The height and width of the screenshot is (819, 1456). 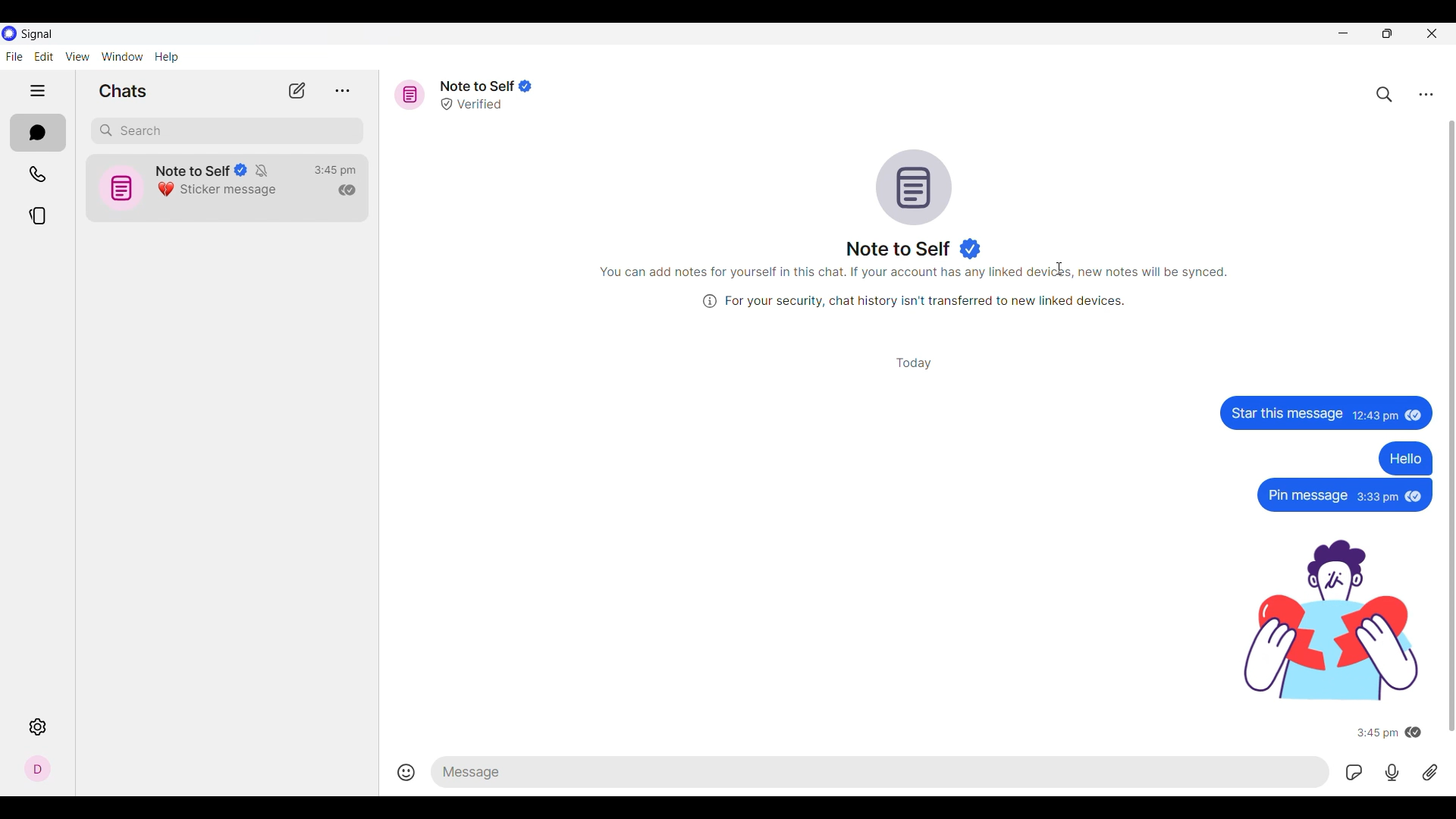 I want to click on textcursor, so click(x=1062, y=271).